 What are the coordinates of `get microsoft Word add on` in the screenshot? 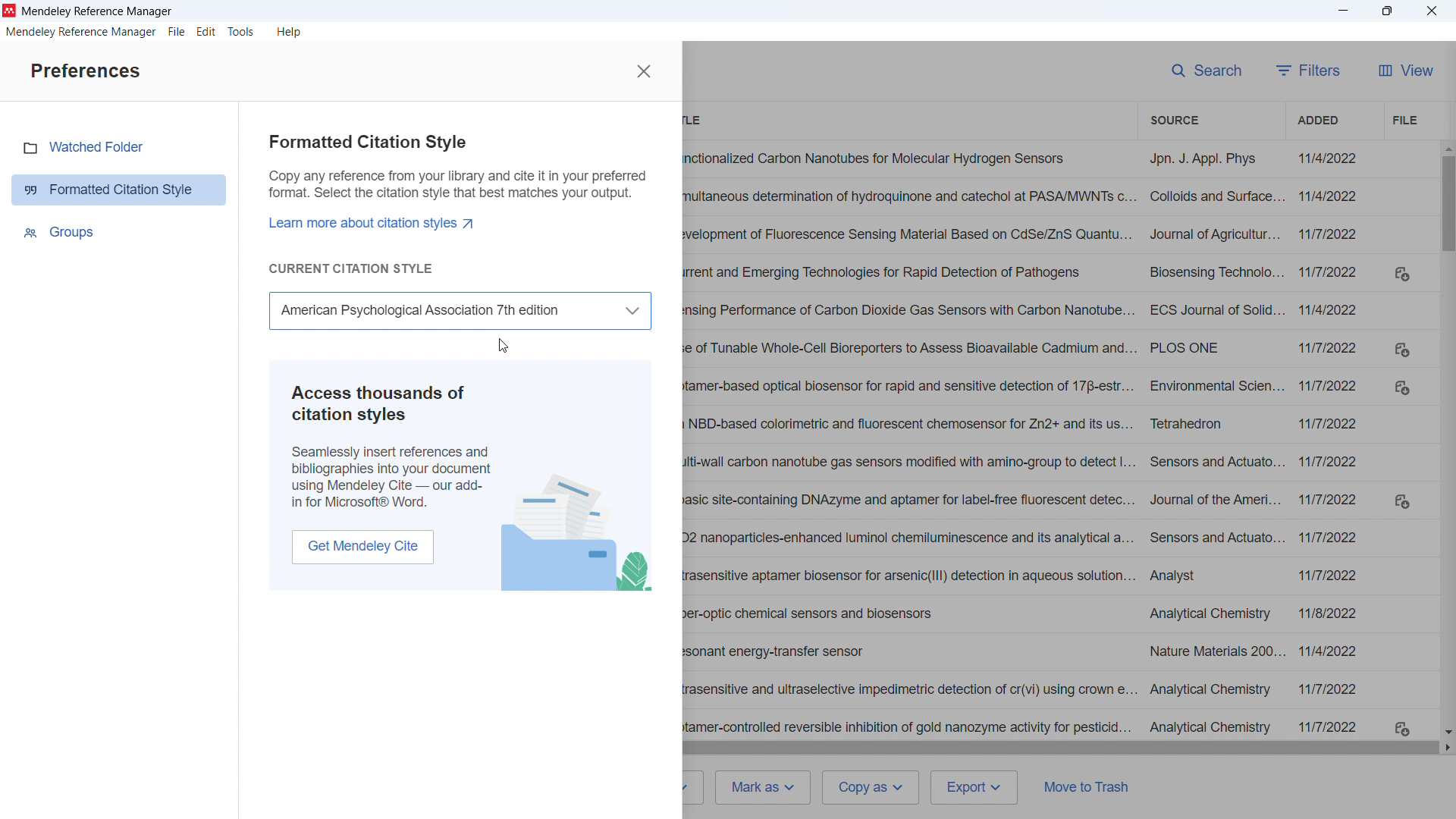 It's located at (362, 547).